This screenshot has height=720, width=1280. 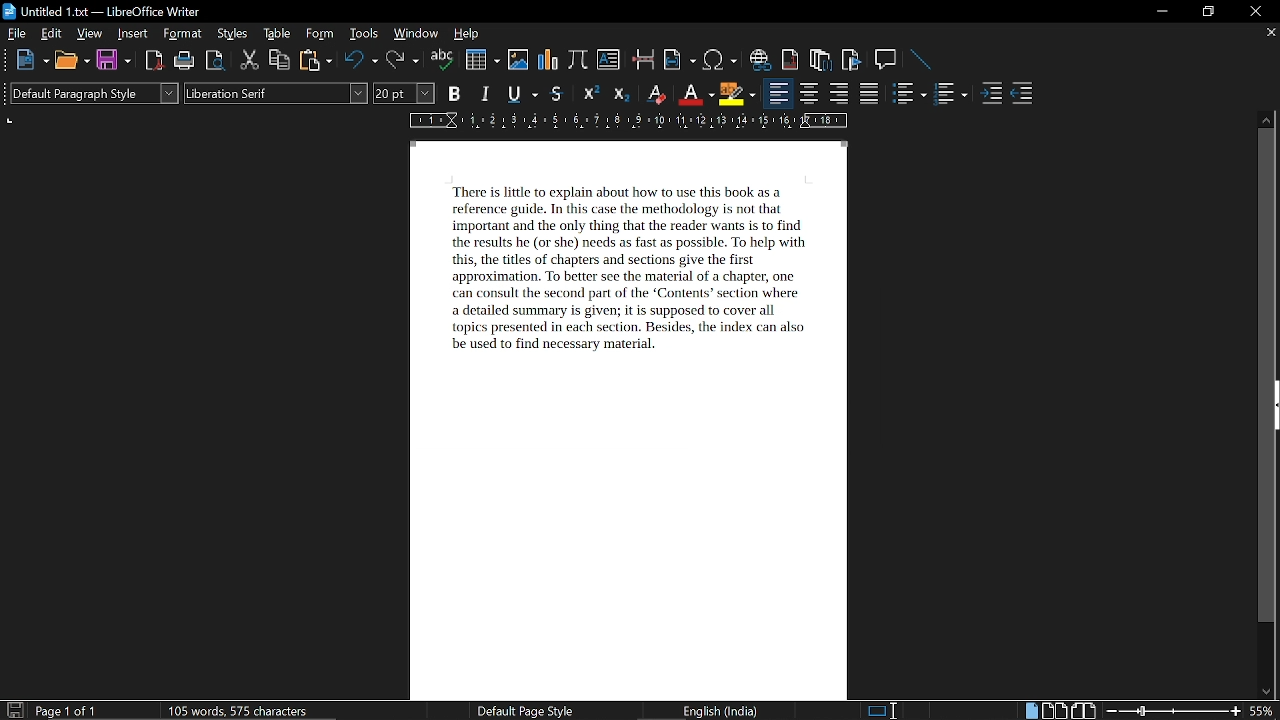 What do you see at coordinates (577, 61) in the screenshot?
I see `insert formula` at bounding box center [577, 61].